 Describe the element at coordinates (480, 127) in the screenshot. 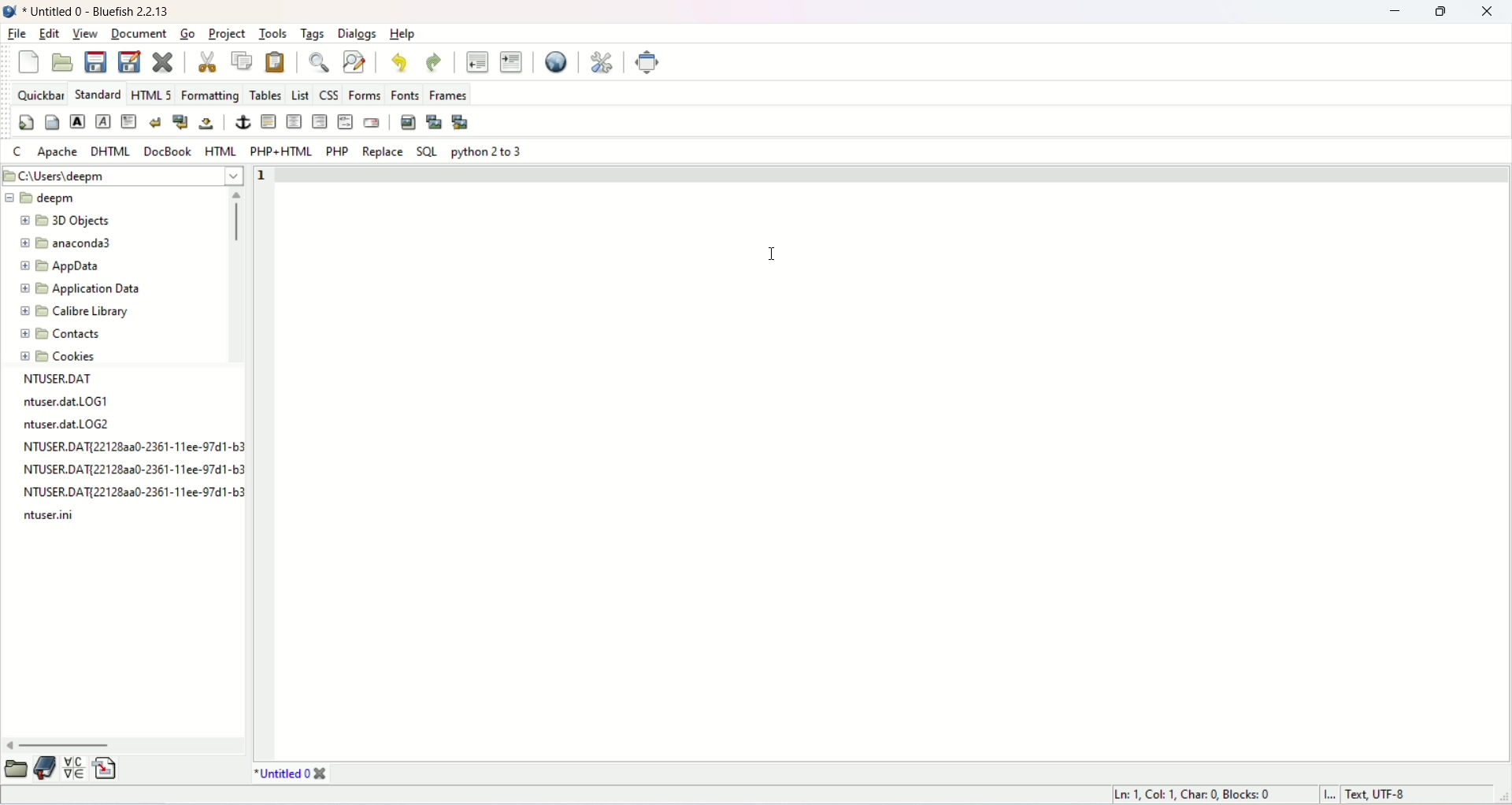

I see `multi-thumbnail` at that location.